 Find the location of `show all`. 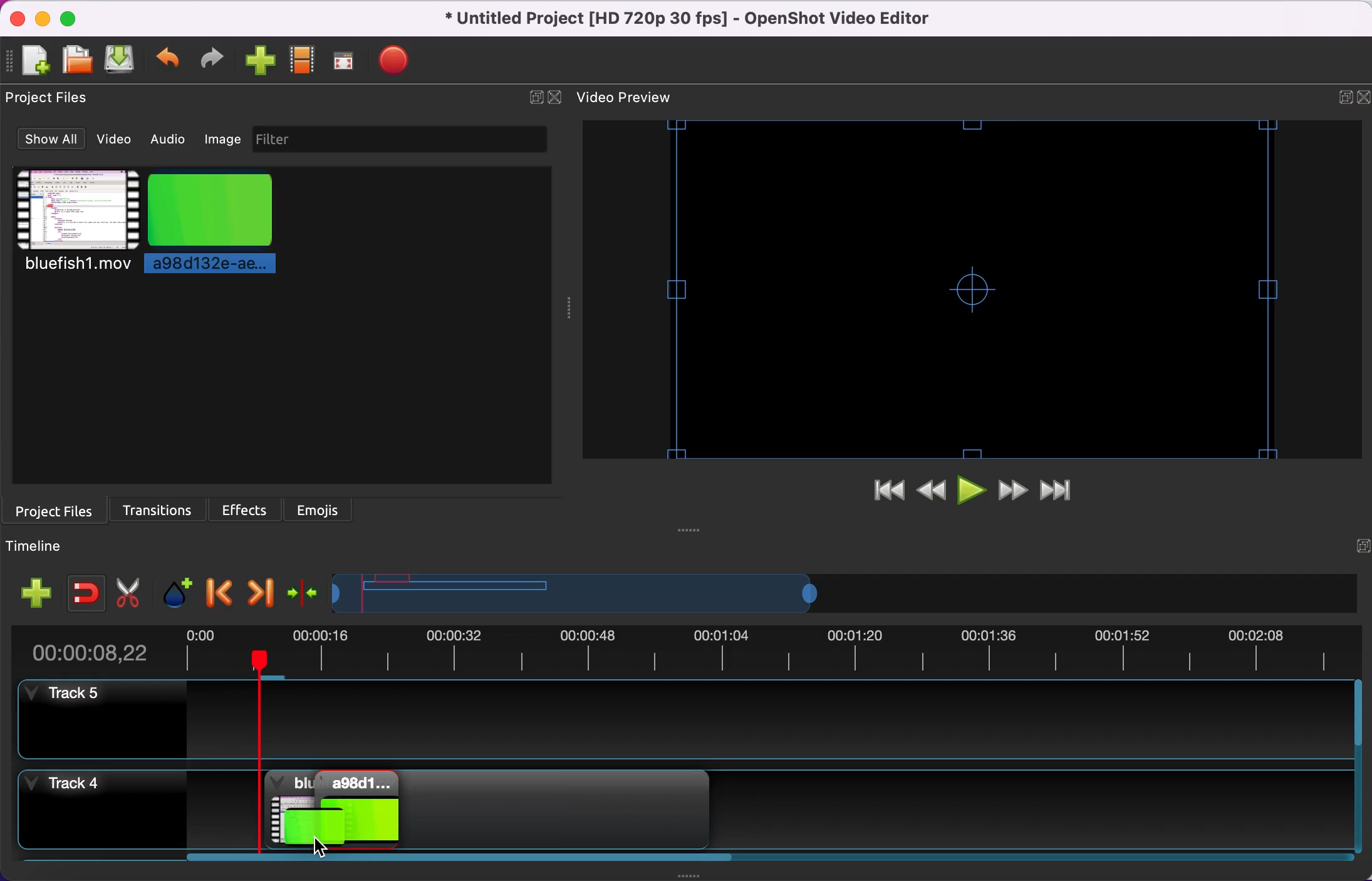

show all is located at coordinates (49, 139).